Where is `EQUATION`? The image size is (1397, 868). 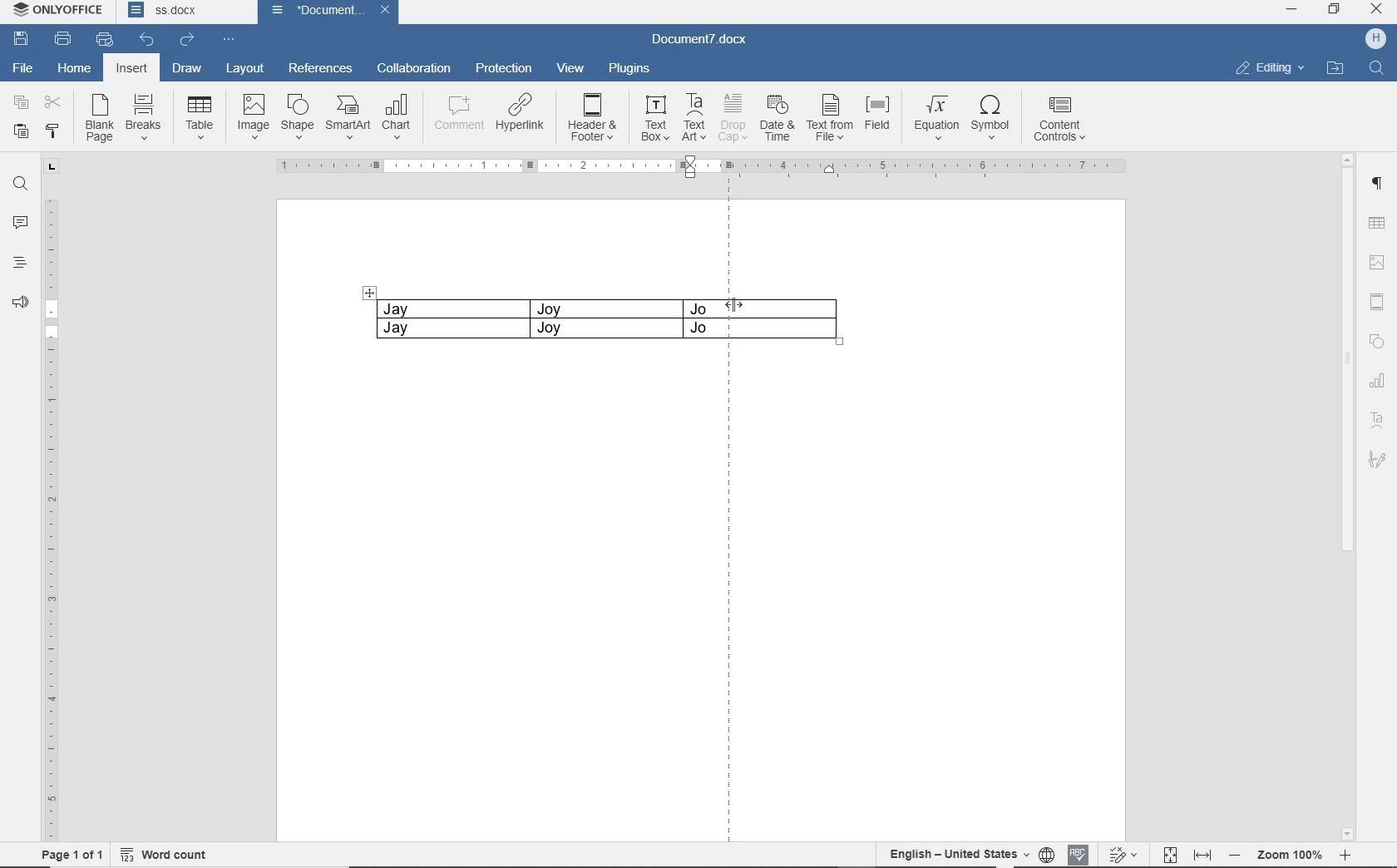 EQUATION is located at coordinates (935, 117).